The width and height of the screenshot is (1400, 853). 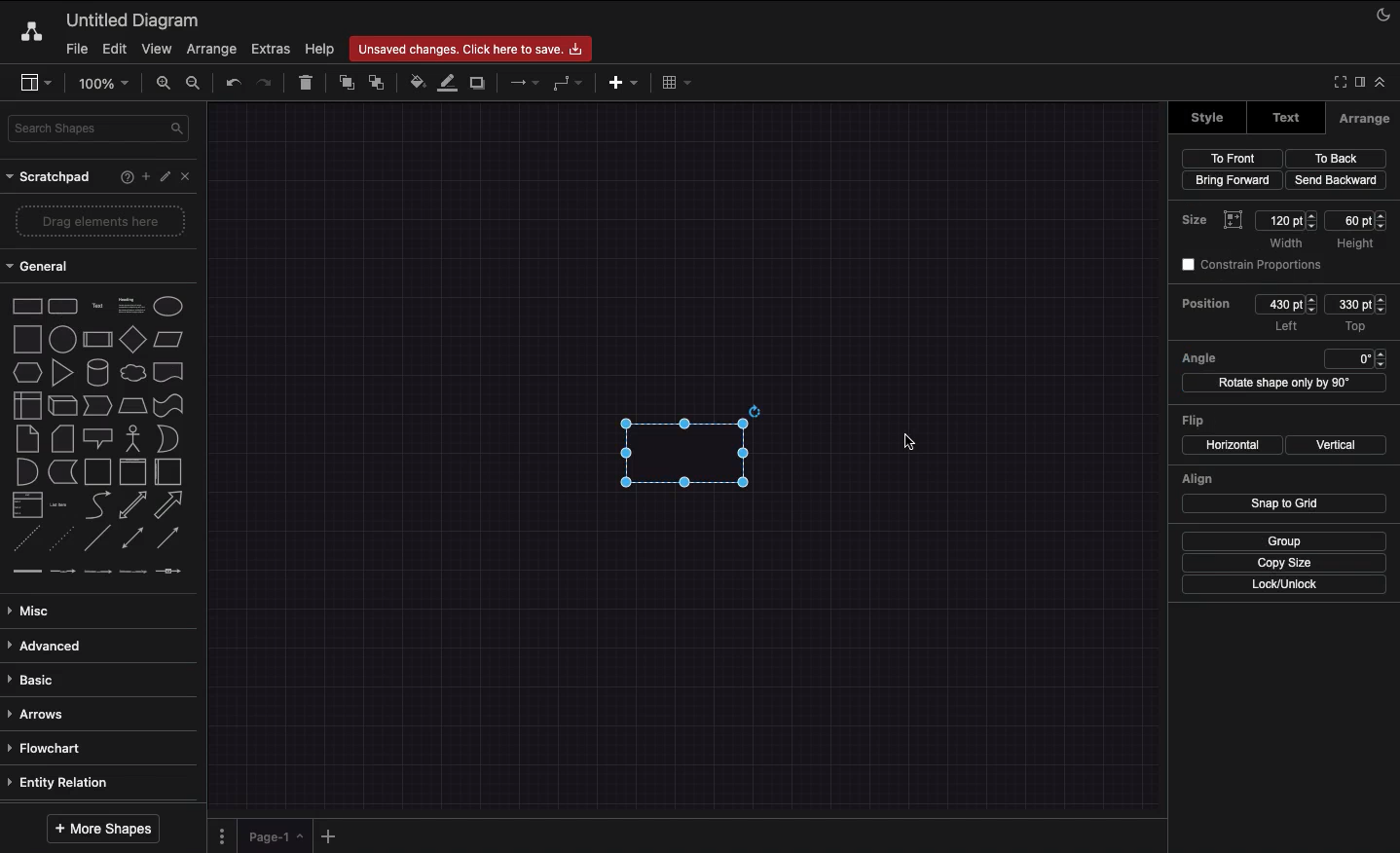 What do you see at coordinates (1378, 16) in the screenshot?
I see `Night mode on` at bounding box center [1378, 16].